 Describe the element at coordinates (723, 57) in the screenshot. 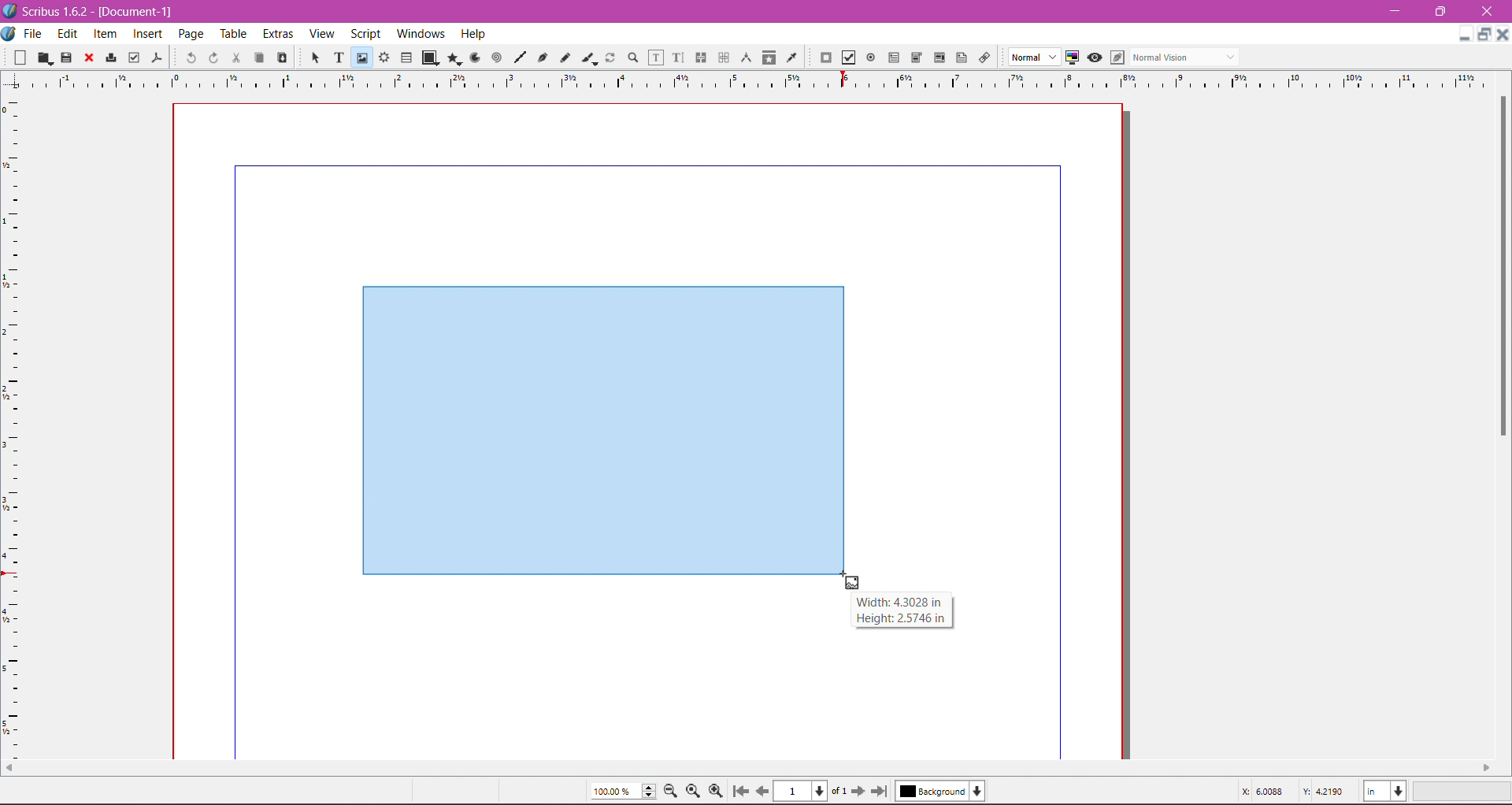

I see `Unlink Text Frames` at that location.